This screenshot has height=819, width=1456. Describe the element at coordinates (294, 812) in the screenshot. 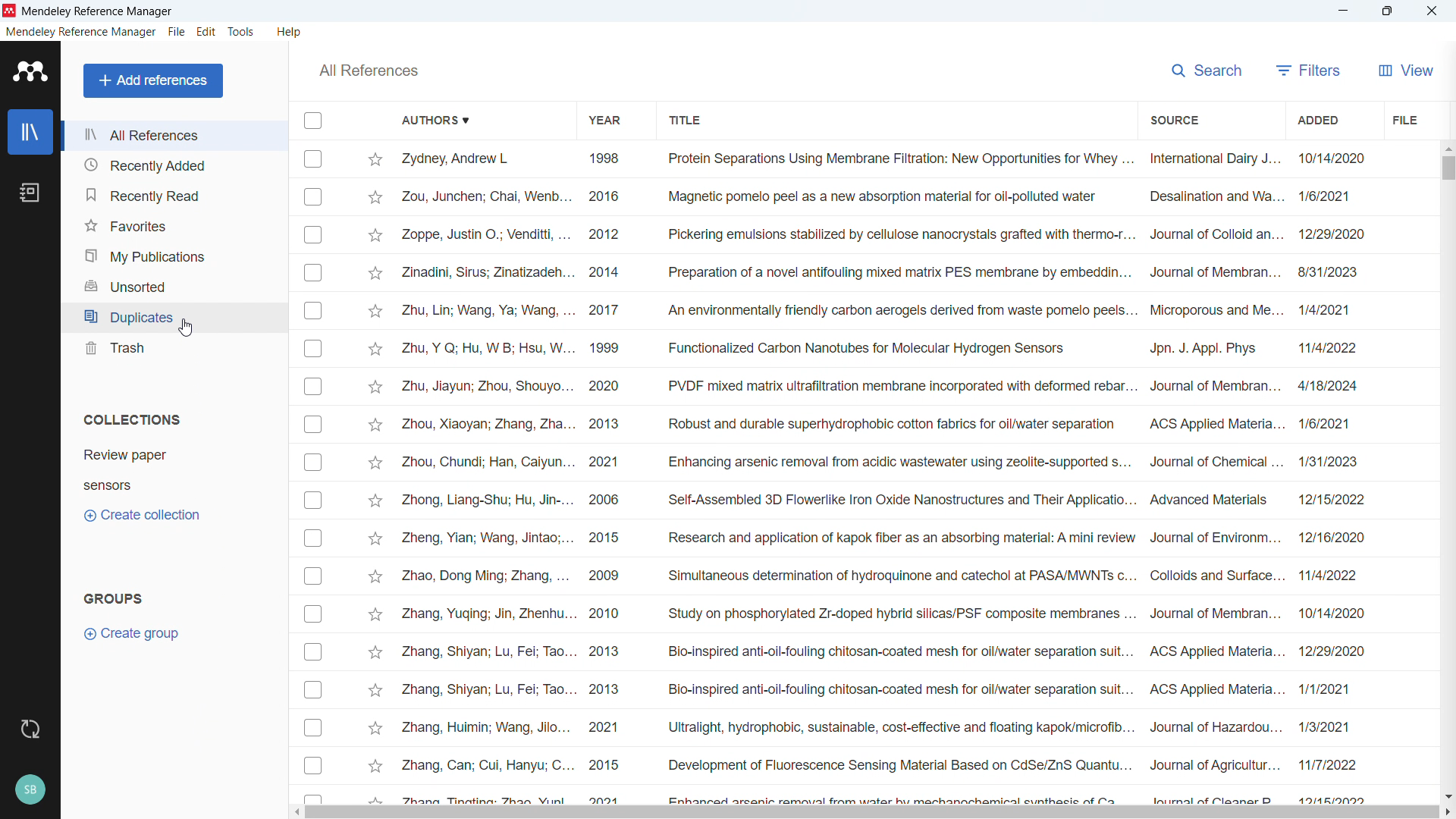

I see `Scroll left ` at that location.